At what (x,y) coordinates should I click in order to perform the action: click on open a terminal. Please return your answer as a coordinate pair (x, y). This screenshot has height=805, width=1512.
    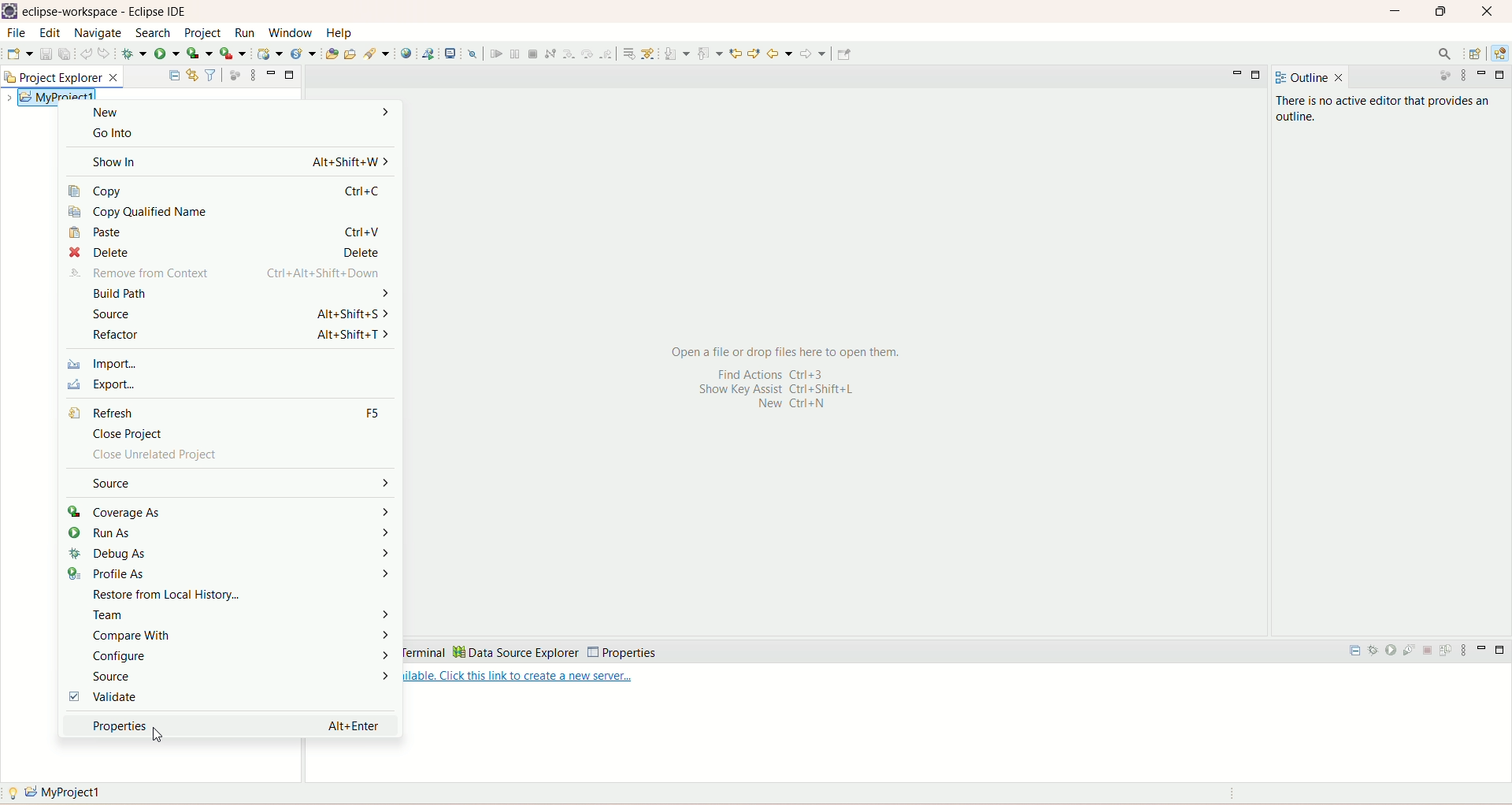
    Looking at the image, I should click on (451, 53).